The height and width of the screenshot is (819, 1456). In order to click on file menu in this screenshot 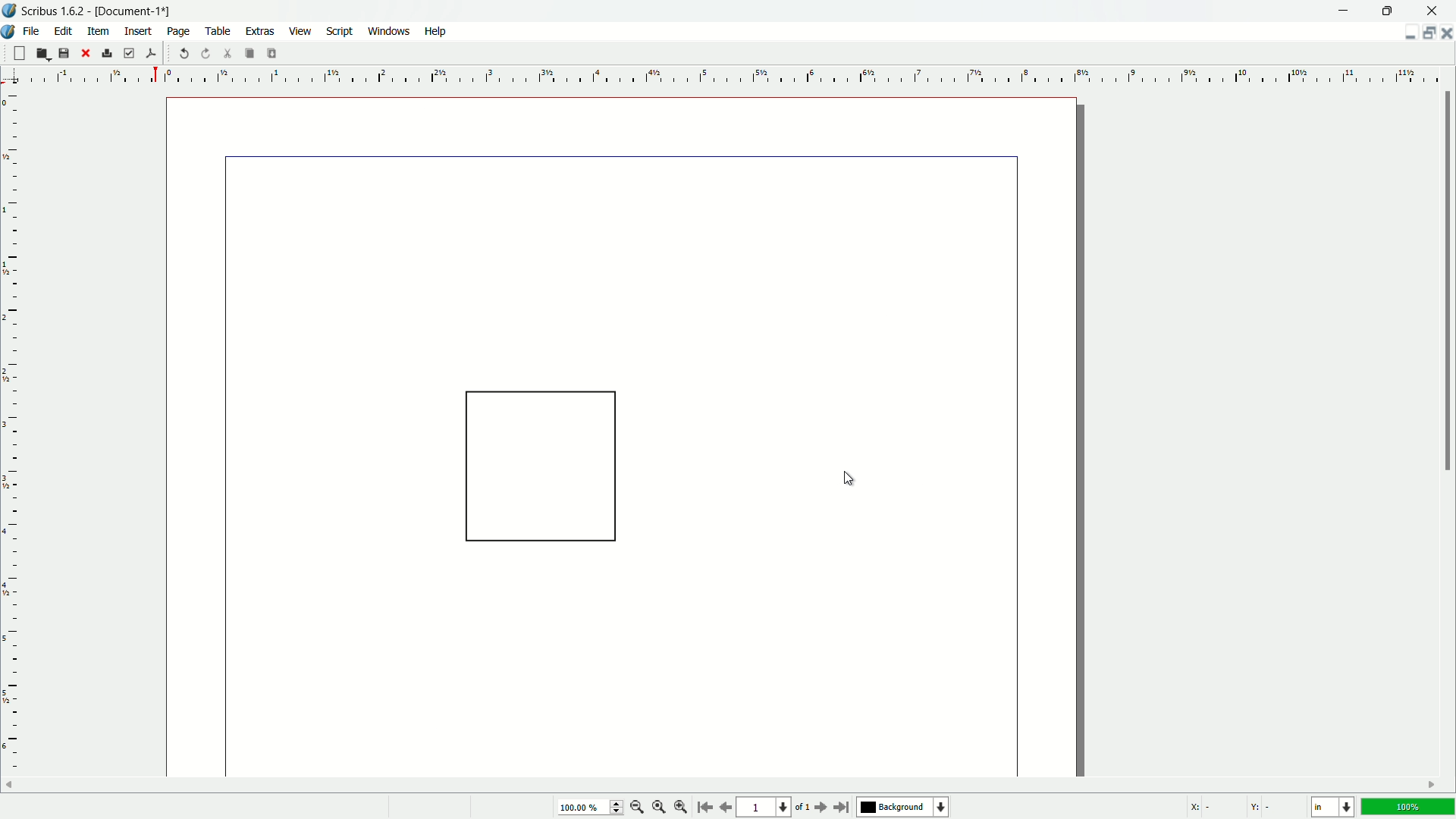, I will do `click(33, 32)`.